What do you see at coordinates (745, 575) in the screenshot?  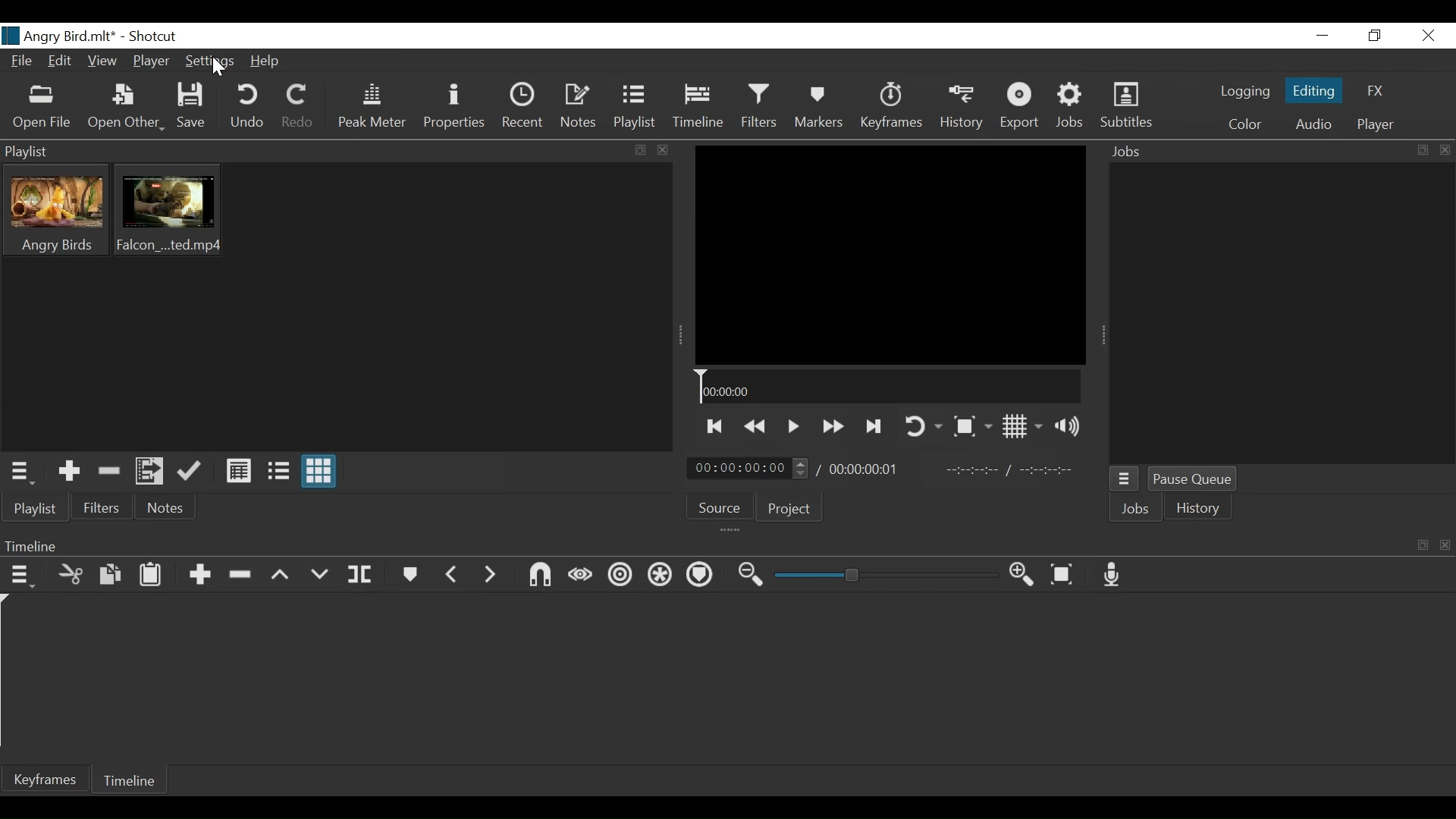 I see `Zoom timeline out` at bounding box center [745, 575].